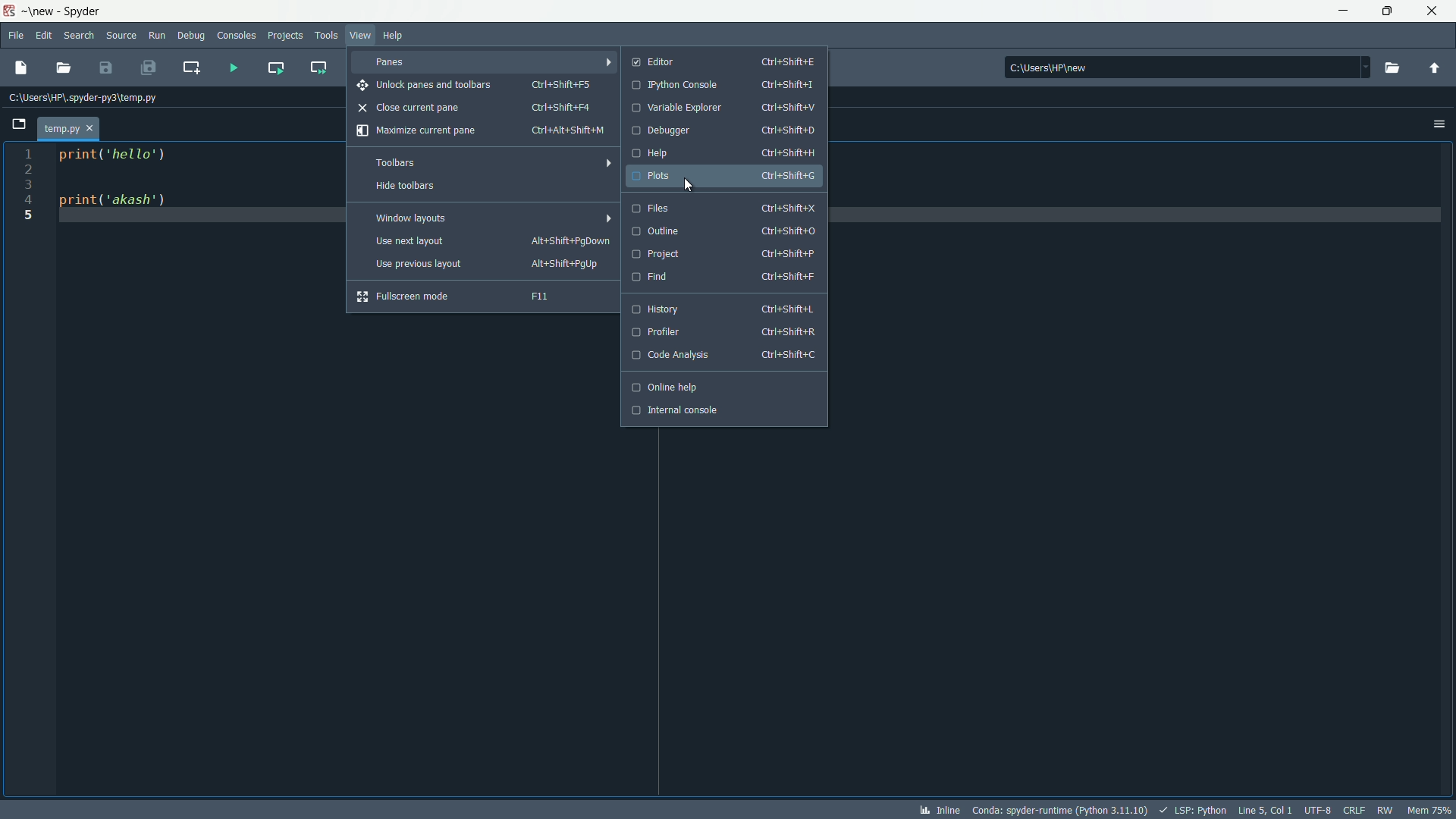 This screenshot has width=1456, height=819. What do you see at coordinates (231, 65) in the screenshot?
I see `run file` at bounding box center [231, 65].